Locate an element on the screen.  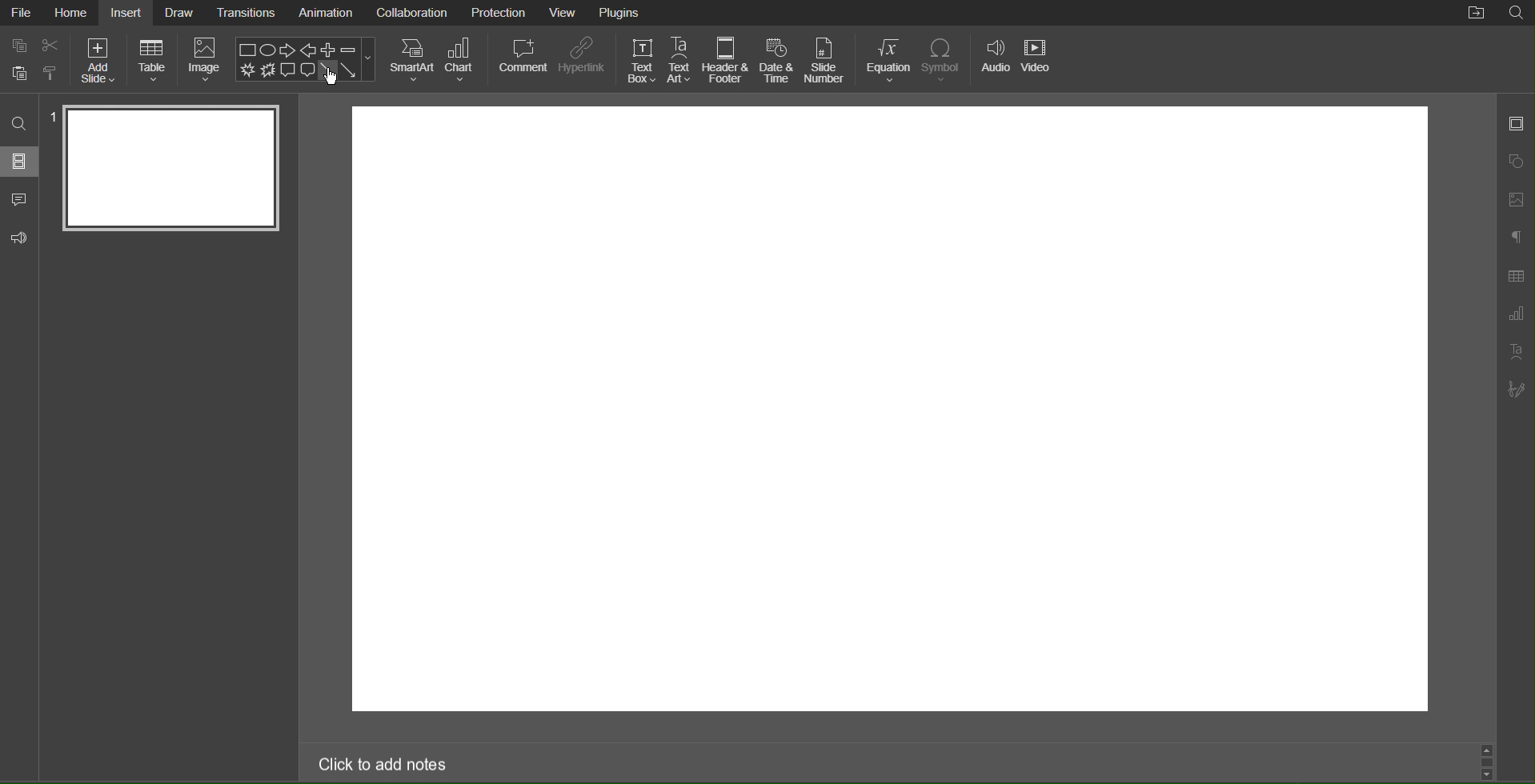
Paste is located at coordinates (16, 72).